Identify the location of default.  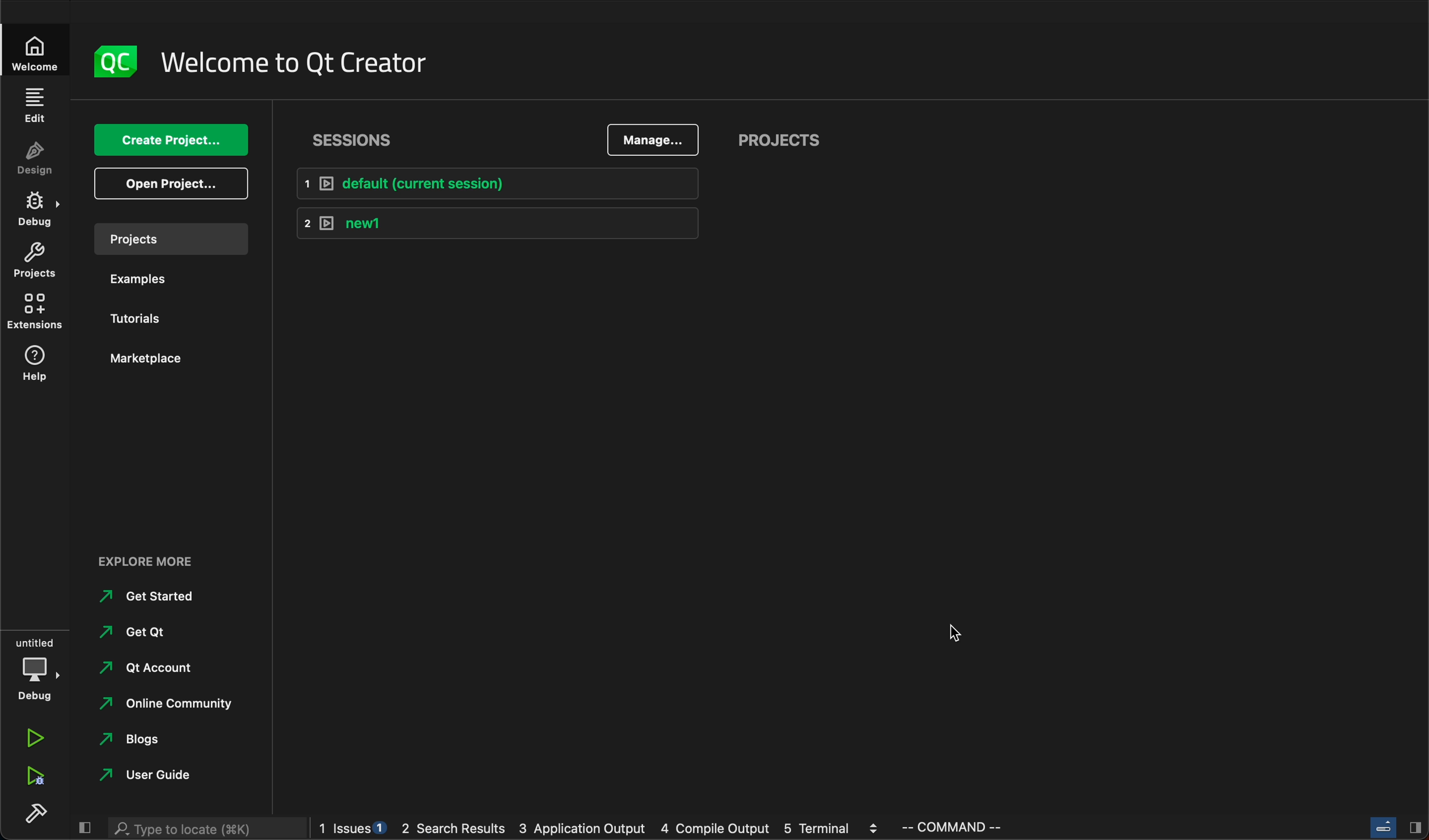
(505, 186).